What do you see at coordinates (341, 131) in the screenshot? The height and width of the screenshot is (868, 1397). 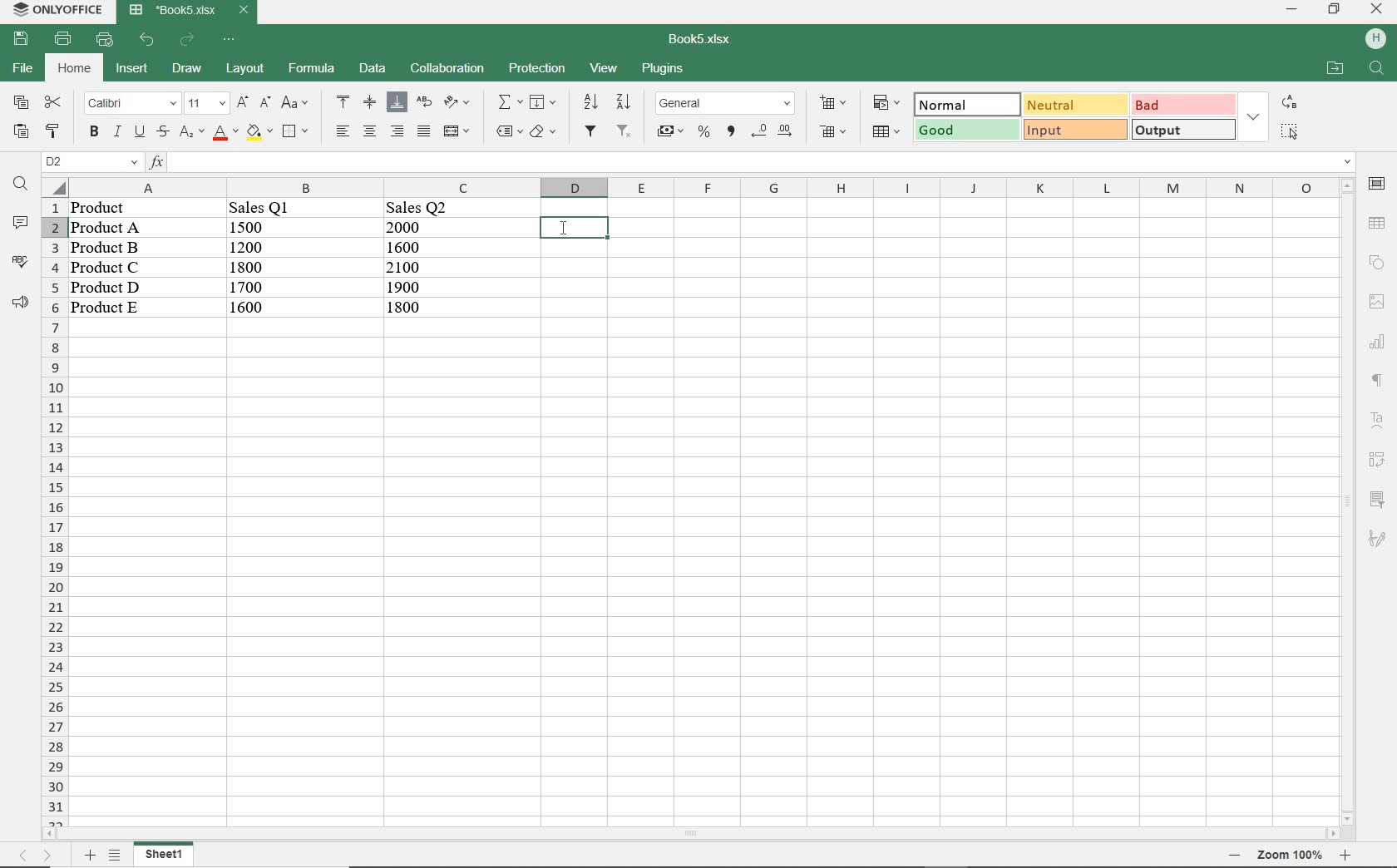 I see `align right` at bounding box center [341, 131].